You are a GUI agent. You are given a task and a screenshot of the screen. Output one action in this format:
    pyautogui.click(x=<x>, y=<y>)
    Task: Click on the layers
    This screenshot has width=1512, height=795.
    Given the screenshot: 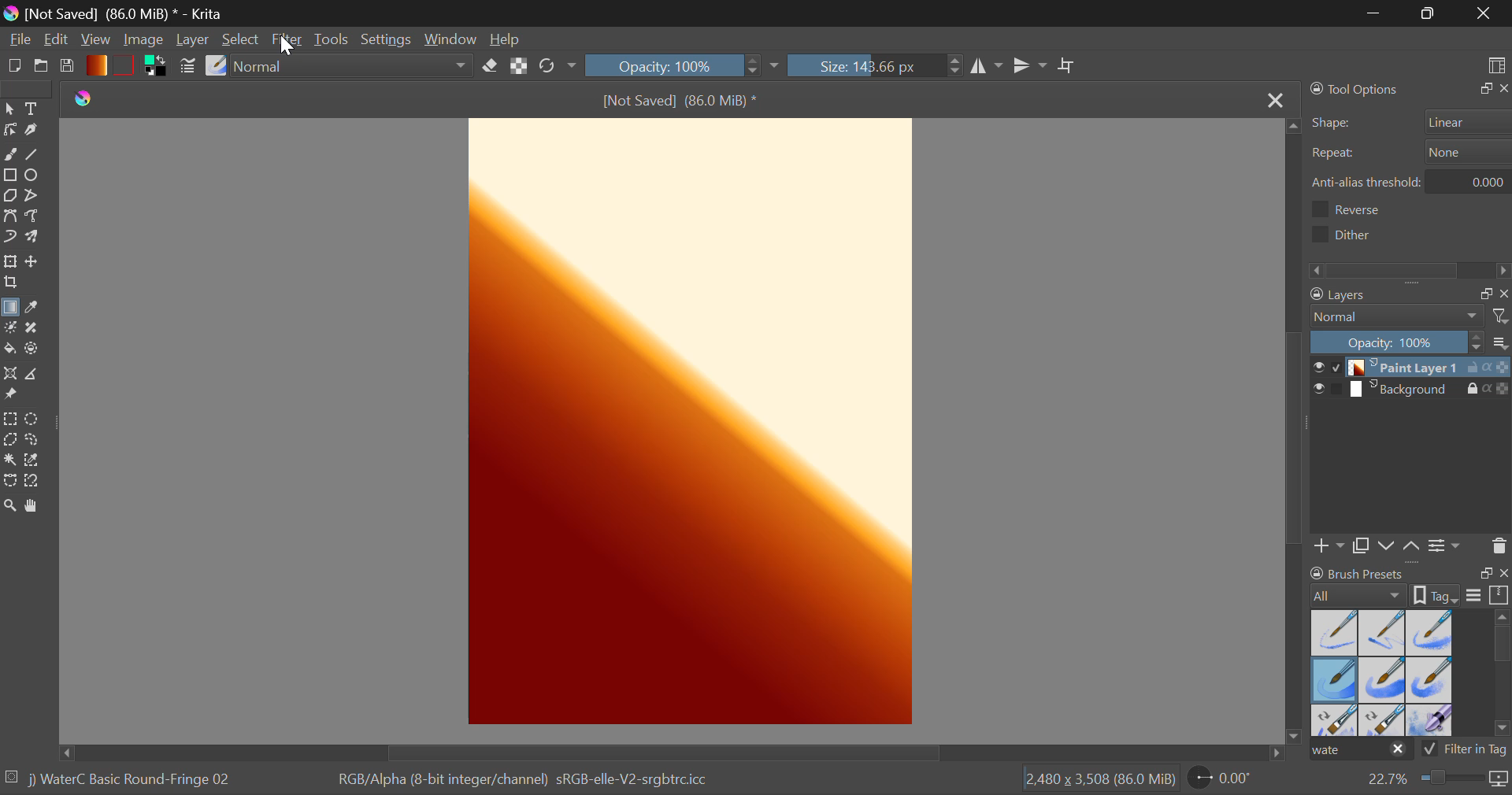 What is the action you would take?
    pyautogui.click(x=1382, y=296)
    